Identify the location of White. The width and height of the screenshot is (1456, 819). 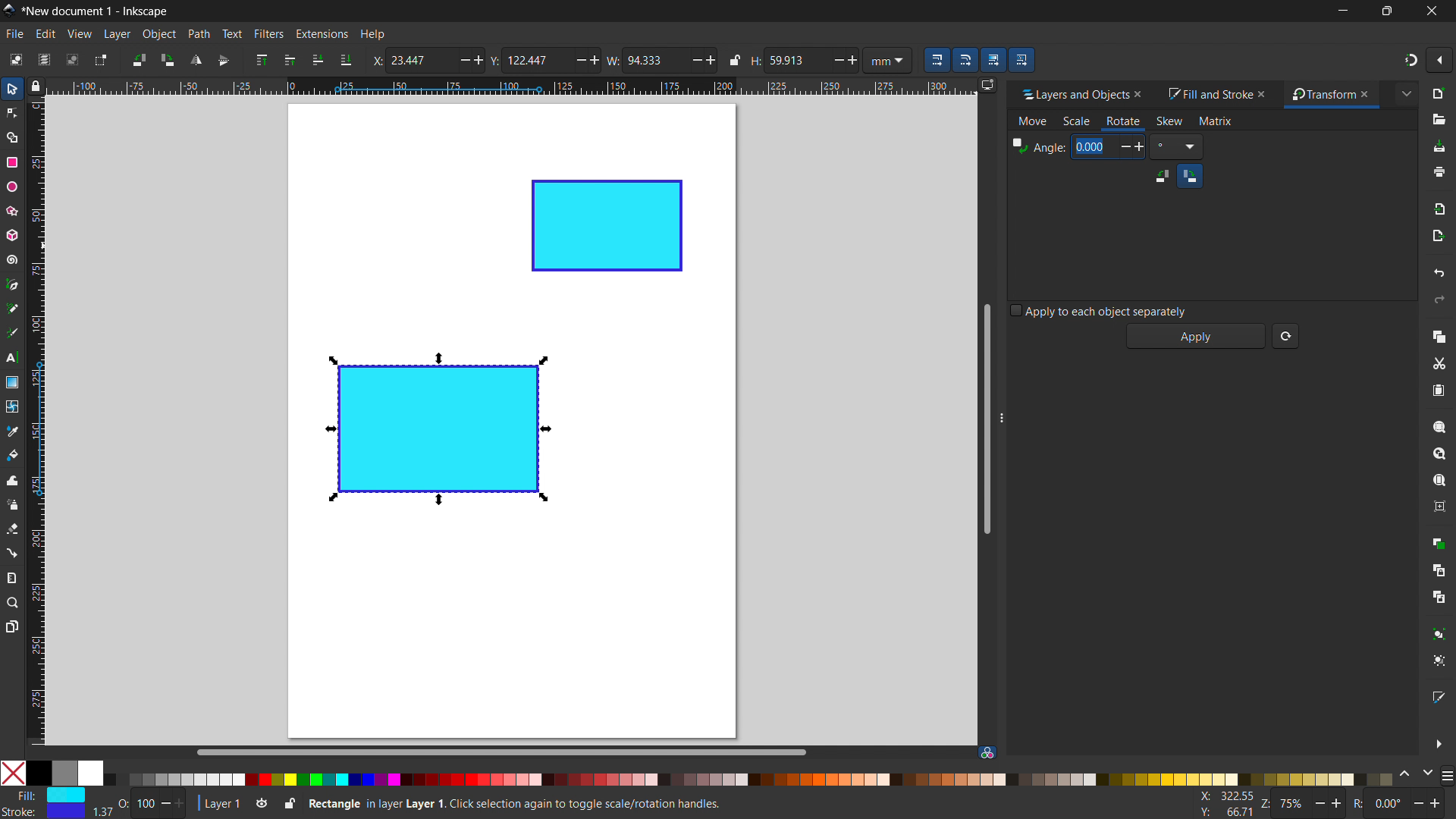
(90, 773).